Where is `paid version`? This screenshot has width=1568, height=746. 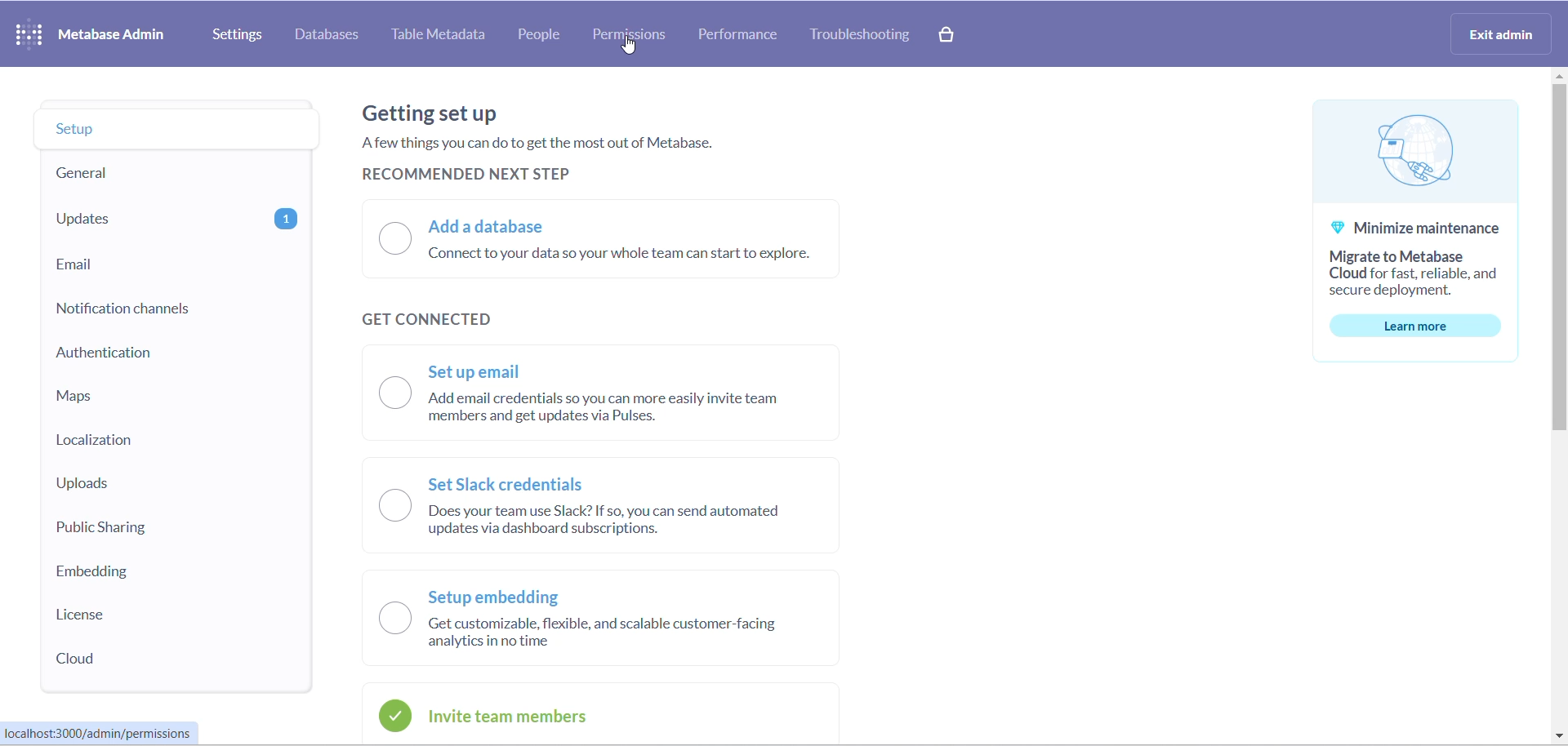 paid version is located at coordinates (957, 34).